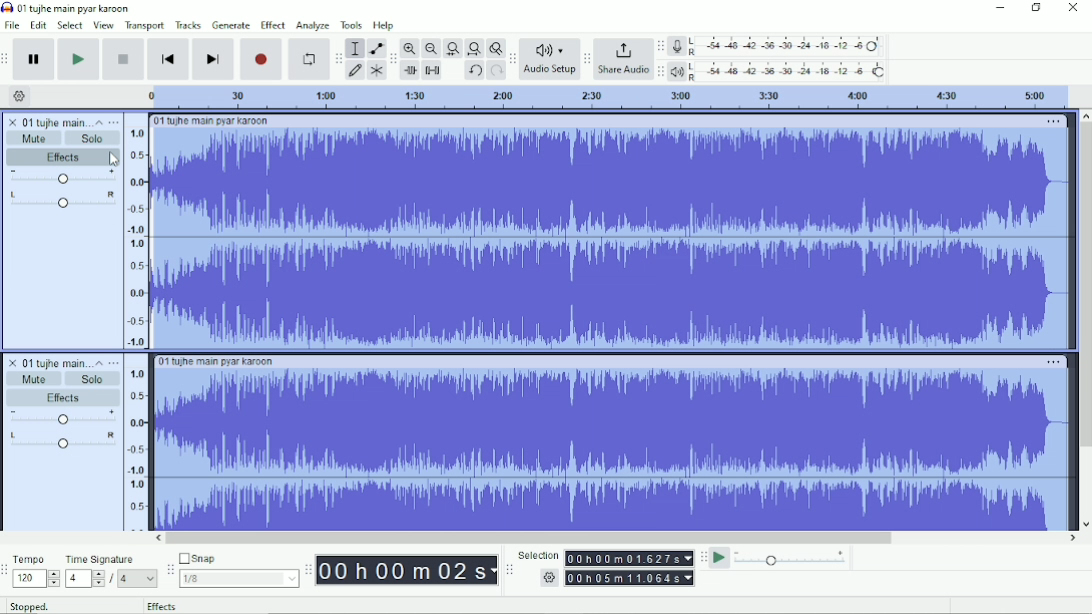 Image resolution: width=1092 pixels, height=614 pixels. I want to click on More options, so click(1054, 122).